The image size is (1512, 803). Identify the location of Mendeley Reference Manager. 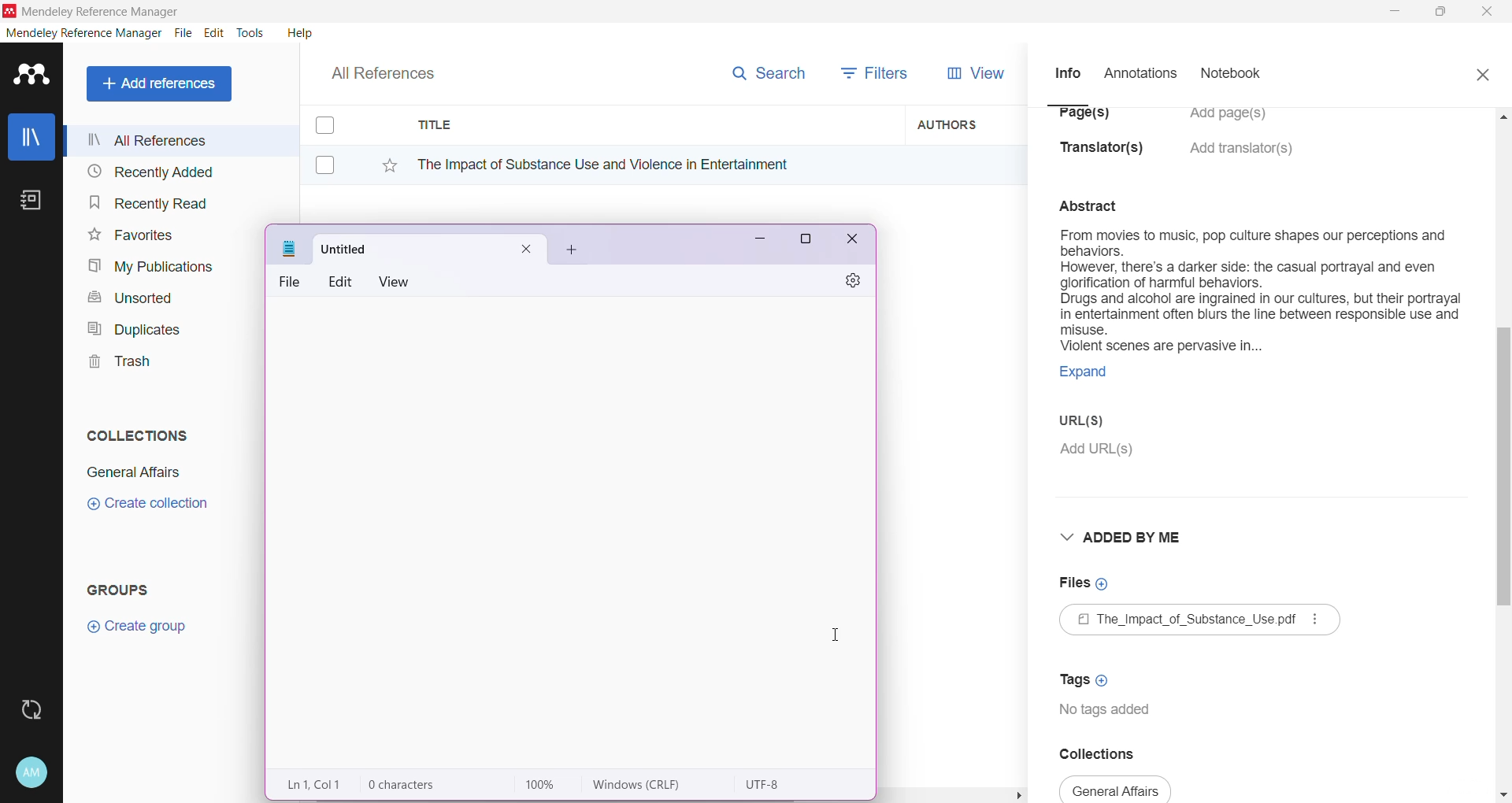
(84, 33).